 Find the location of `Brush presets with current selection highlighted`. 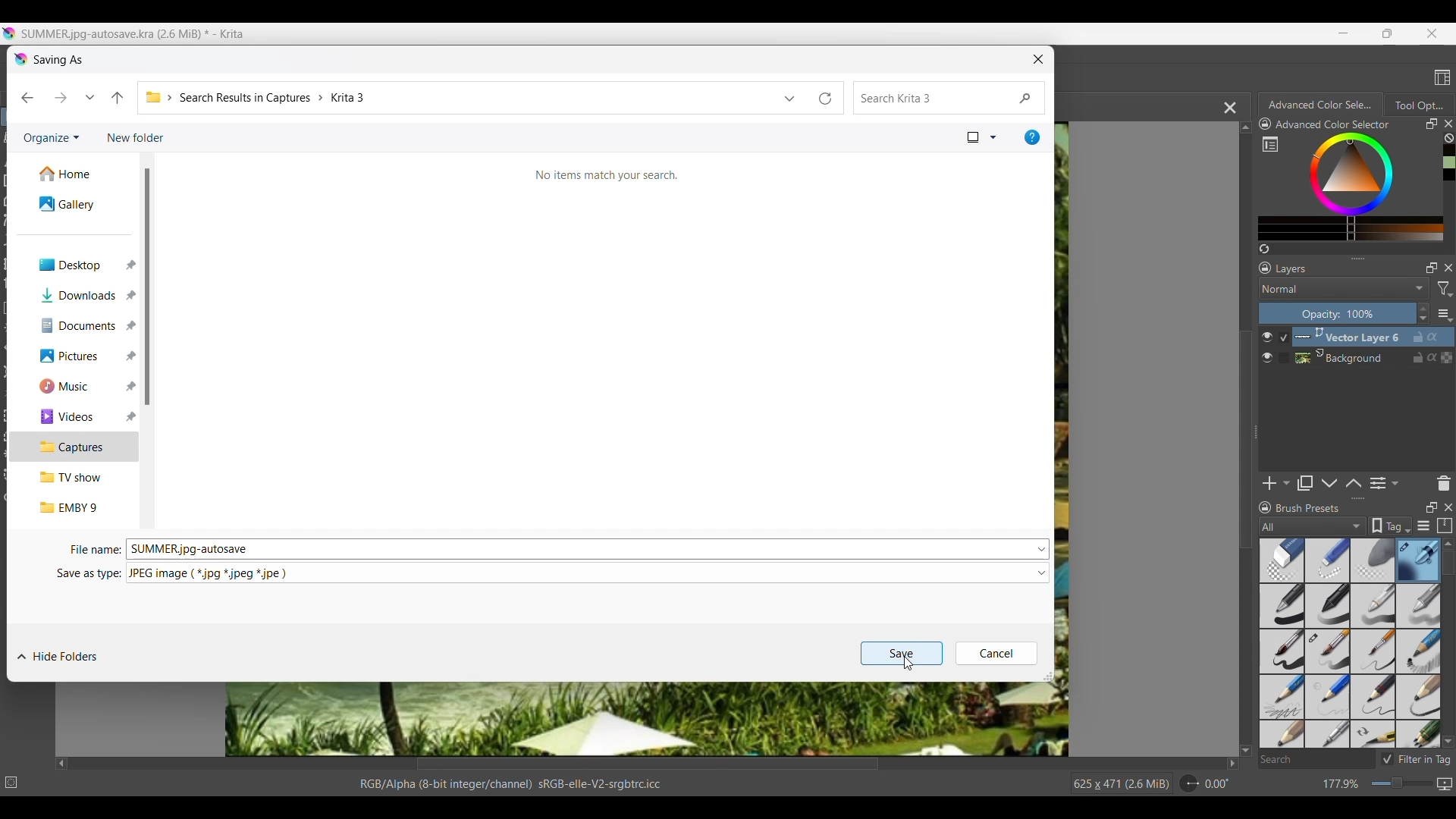

Brush presets with current selection highlighted is located at coordinates (1350, 644).